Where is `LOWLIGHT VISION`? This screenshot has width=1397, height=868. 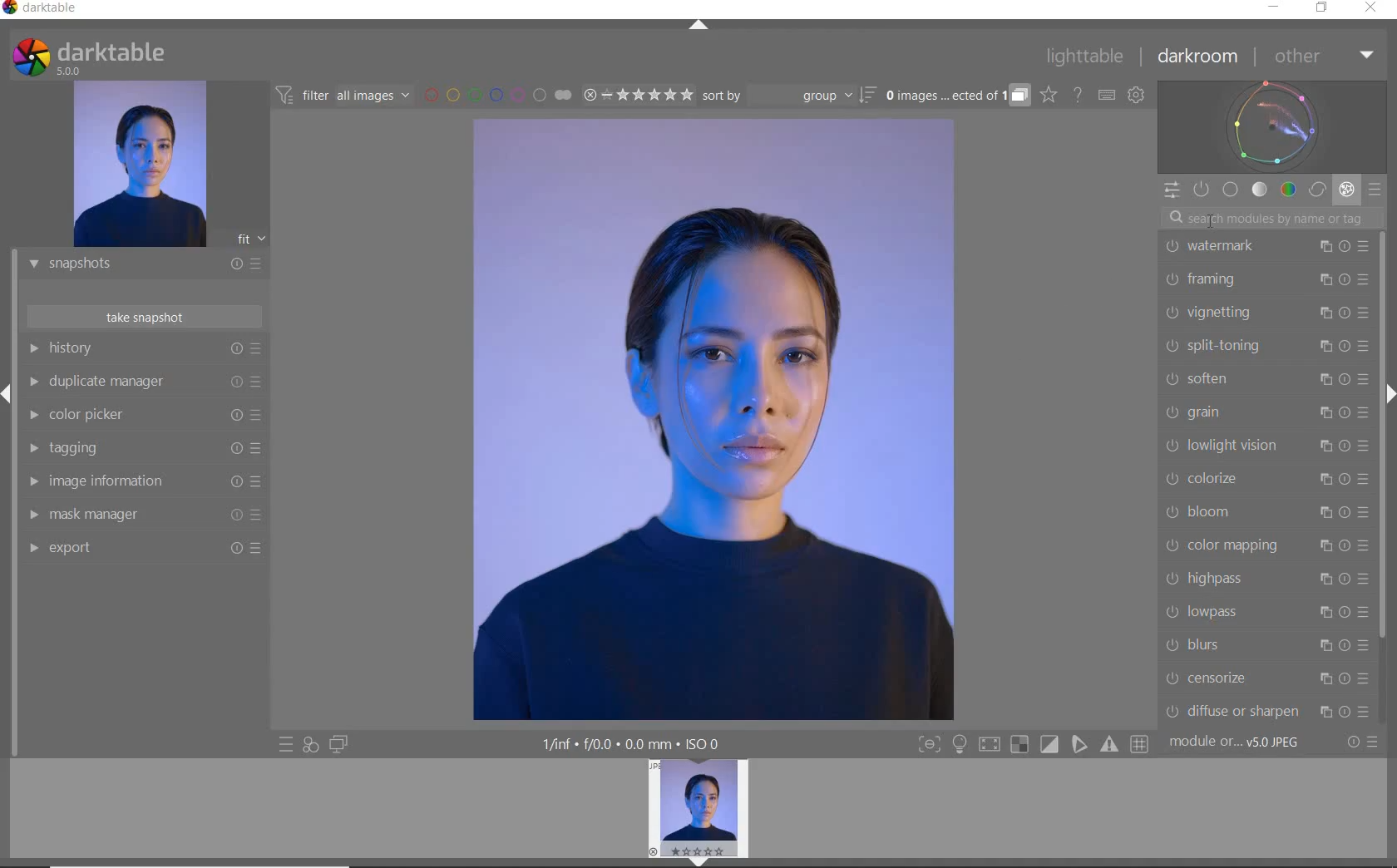 LOWLIGHT VISION is located at coordinates (1266, 446).